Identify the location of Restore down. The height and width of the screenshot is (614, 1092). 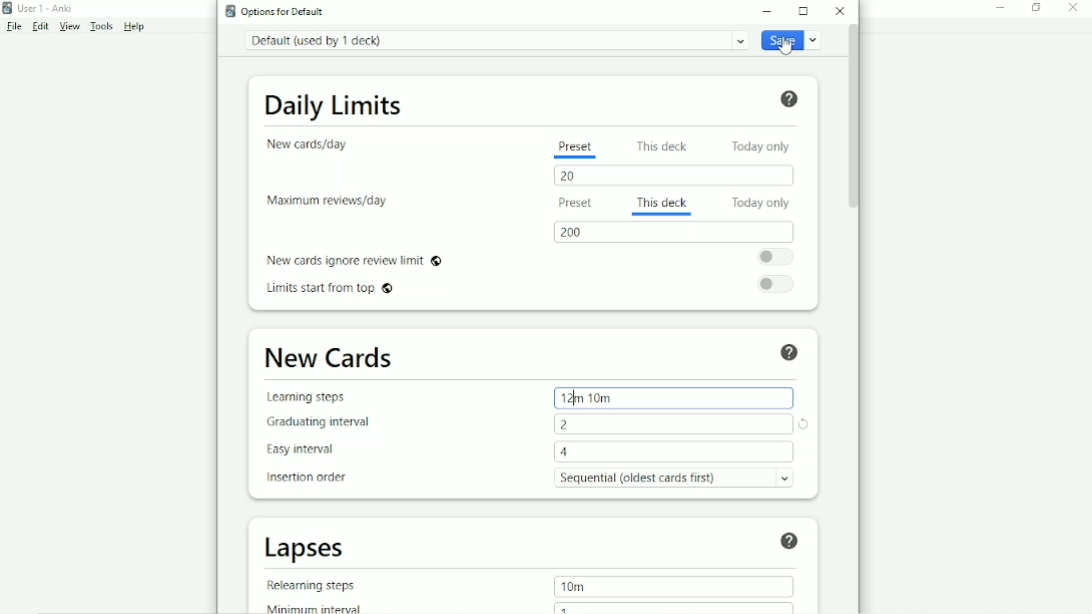
(1036, 8).